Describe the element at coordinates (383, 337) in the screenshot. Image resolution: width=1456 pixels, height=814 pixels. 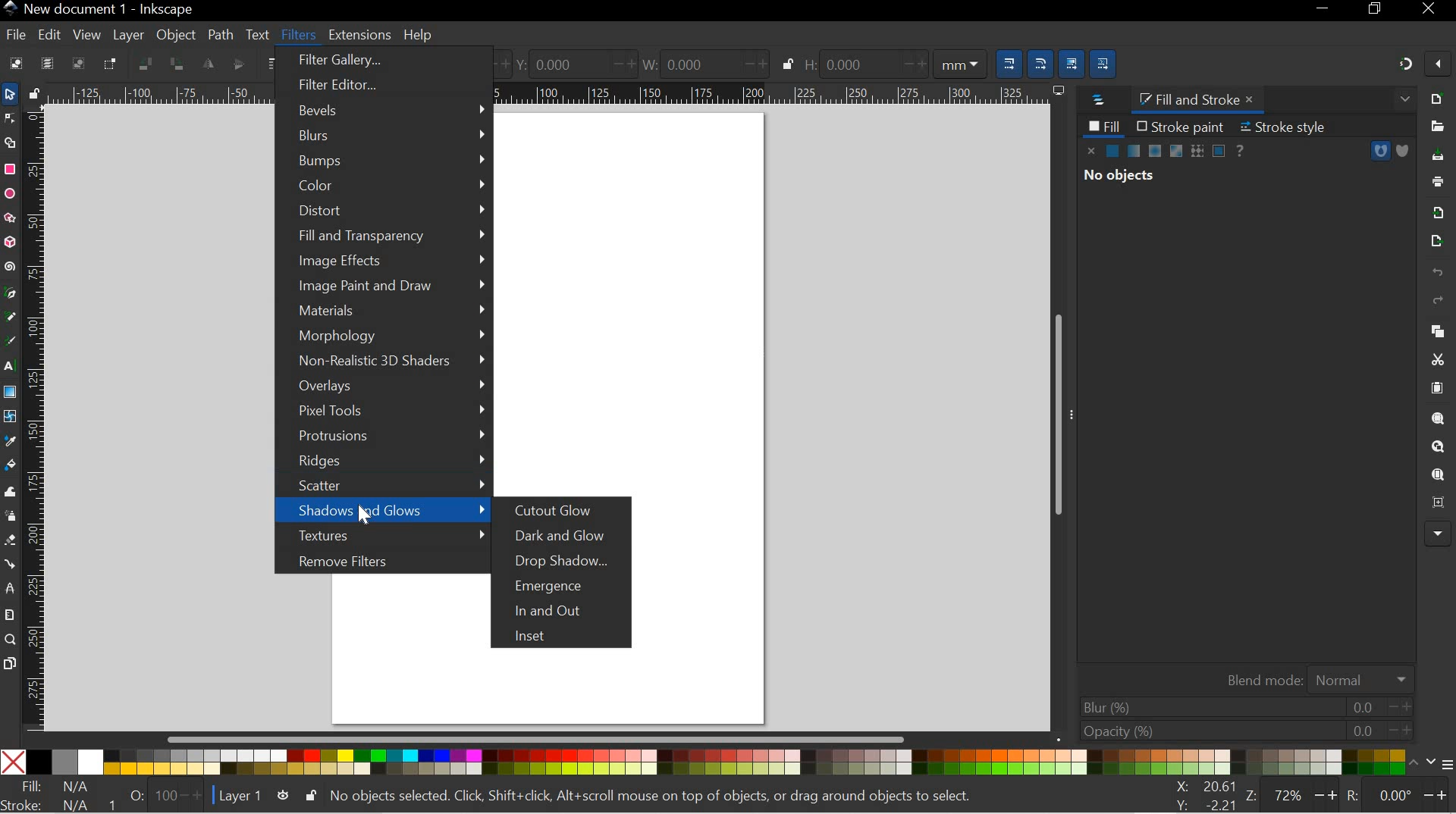
I see `MORPHOLOGY` at that location.